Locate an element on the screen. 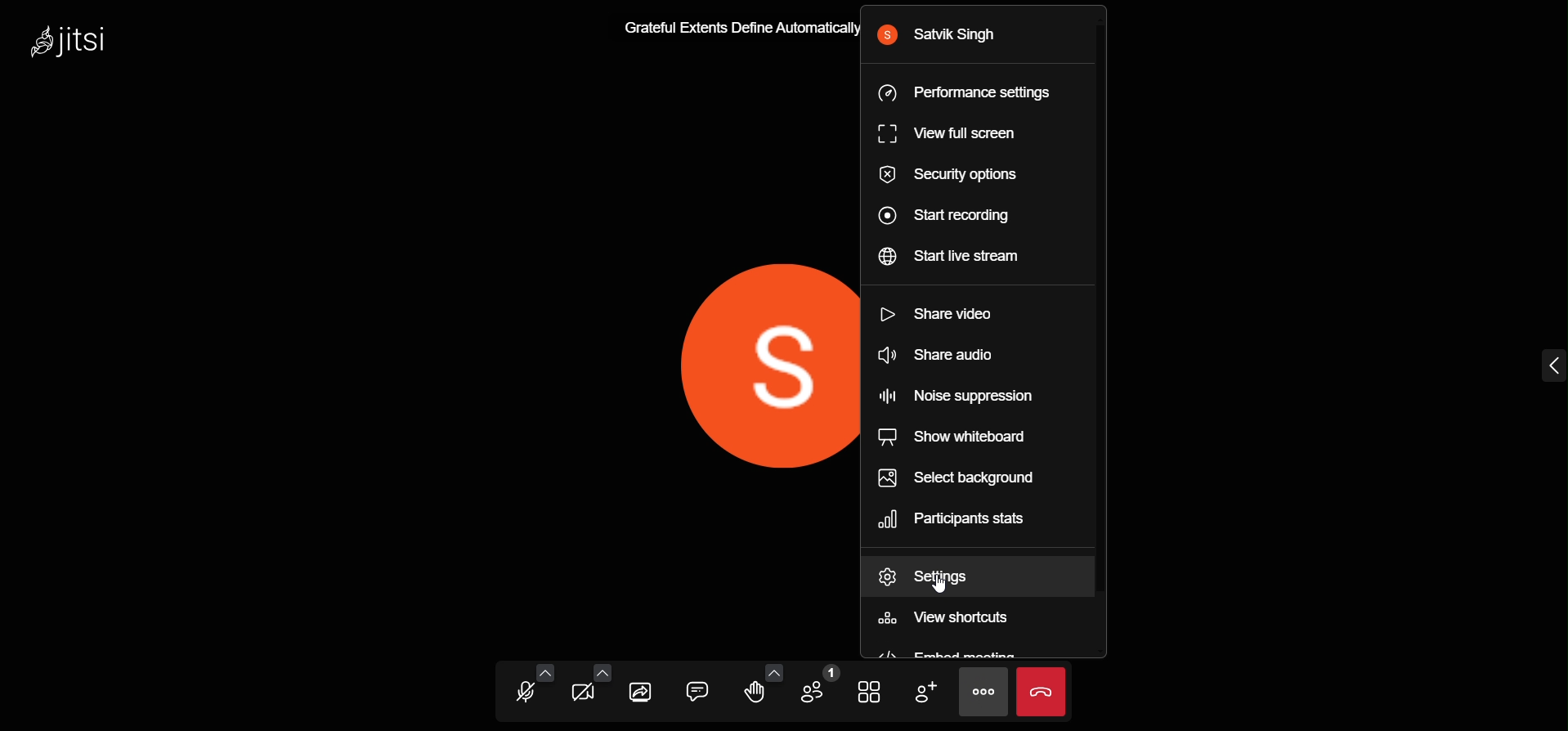 This screenshot has height=731, width=1568. security options is located at coordinates (961, 177).